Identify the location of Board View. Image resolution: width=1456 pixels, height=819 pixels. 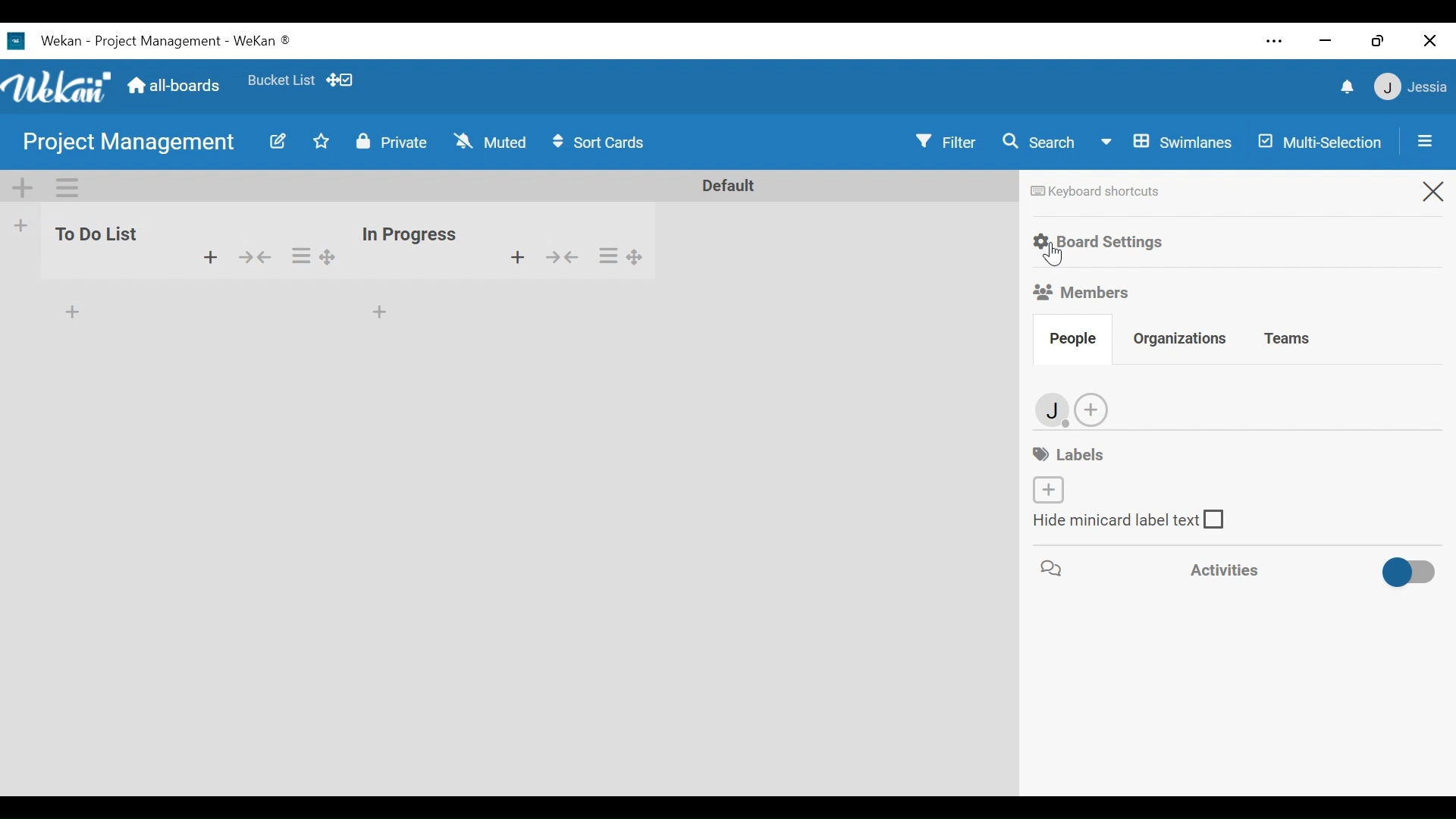
(1169, 143).